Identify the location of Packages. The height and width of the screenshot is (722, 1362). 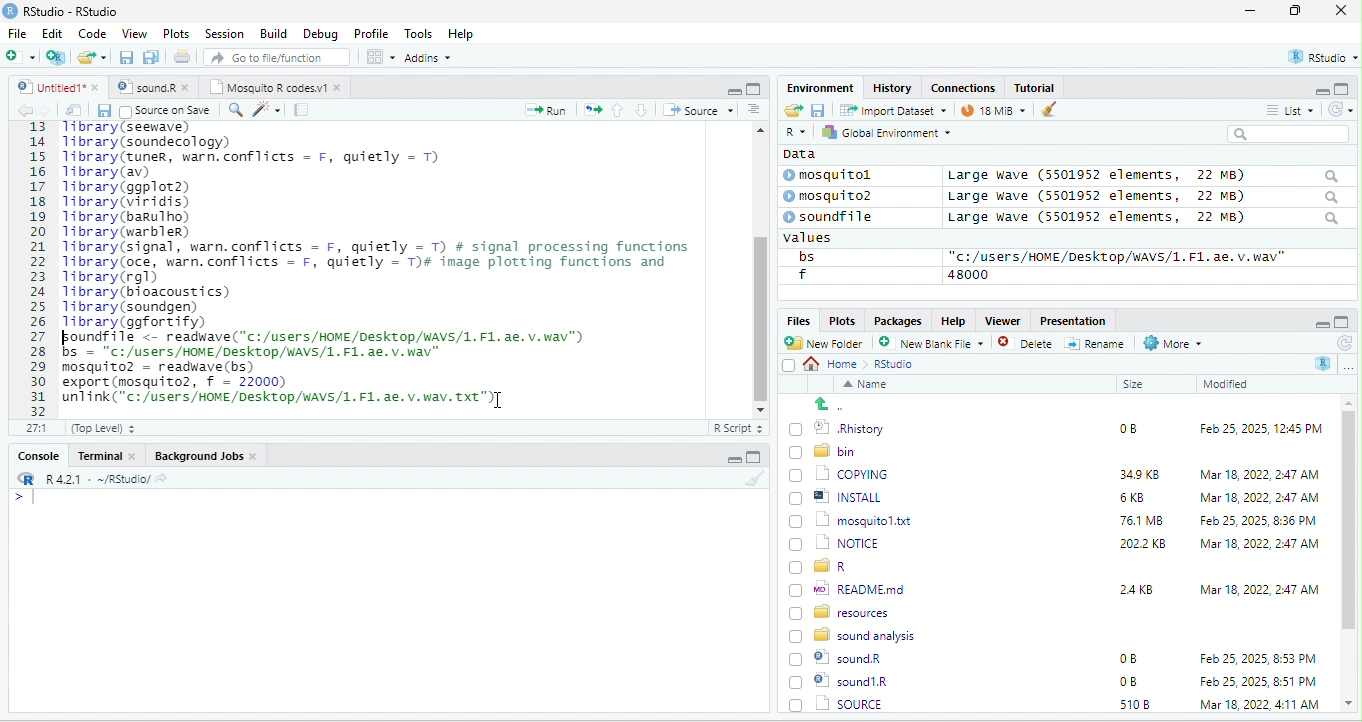
(901, 320).